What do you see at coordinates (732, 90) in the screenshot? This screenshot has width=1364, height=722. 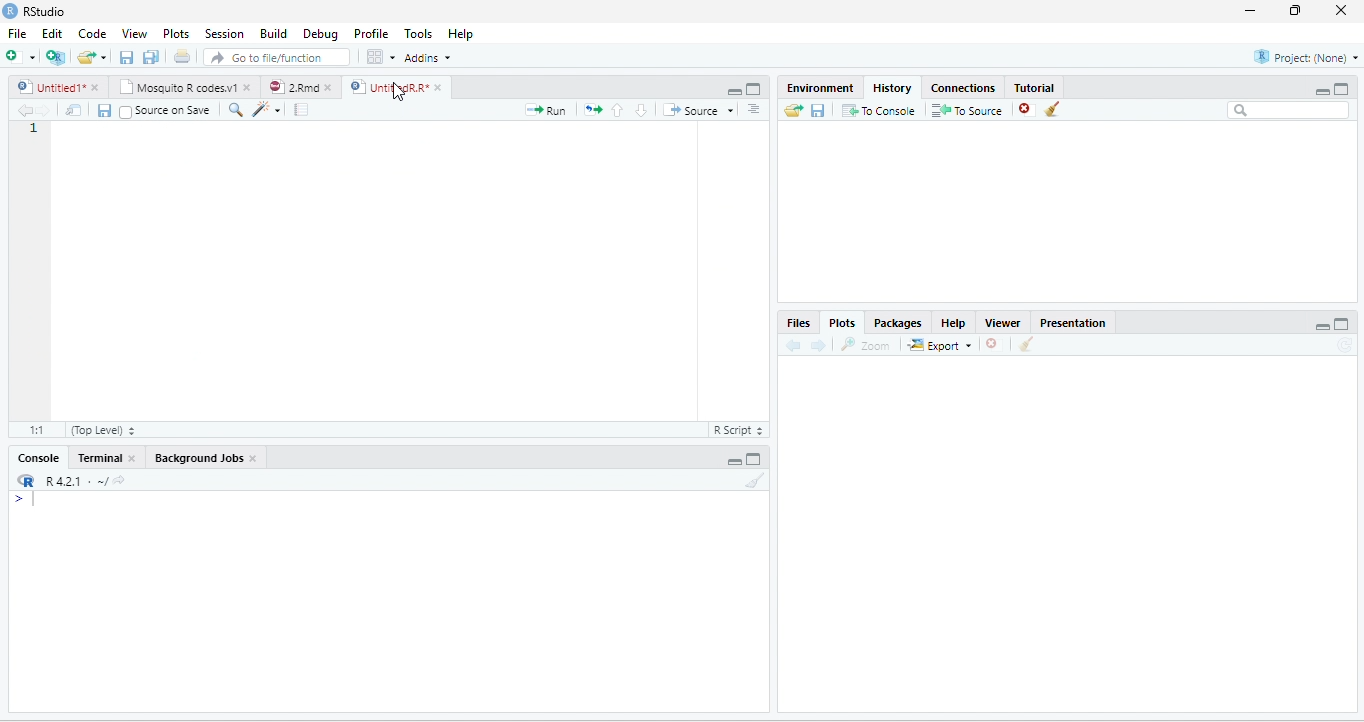 I see `Minimize` at bounding box center [732, 90].